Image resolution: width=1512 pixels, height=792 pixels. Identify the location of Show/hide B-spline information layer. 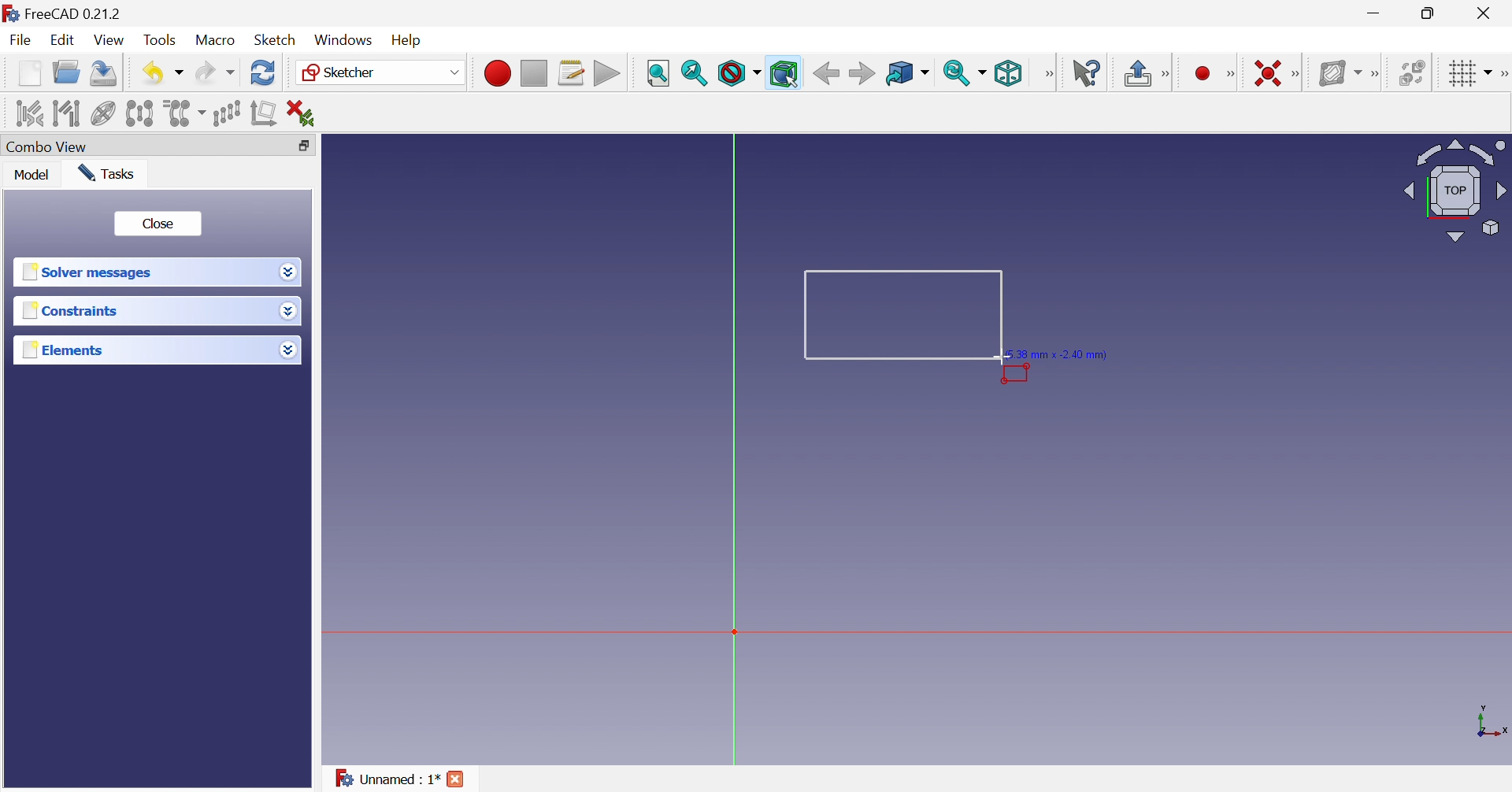
(1339, 73).